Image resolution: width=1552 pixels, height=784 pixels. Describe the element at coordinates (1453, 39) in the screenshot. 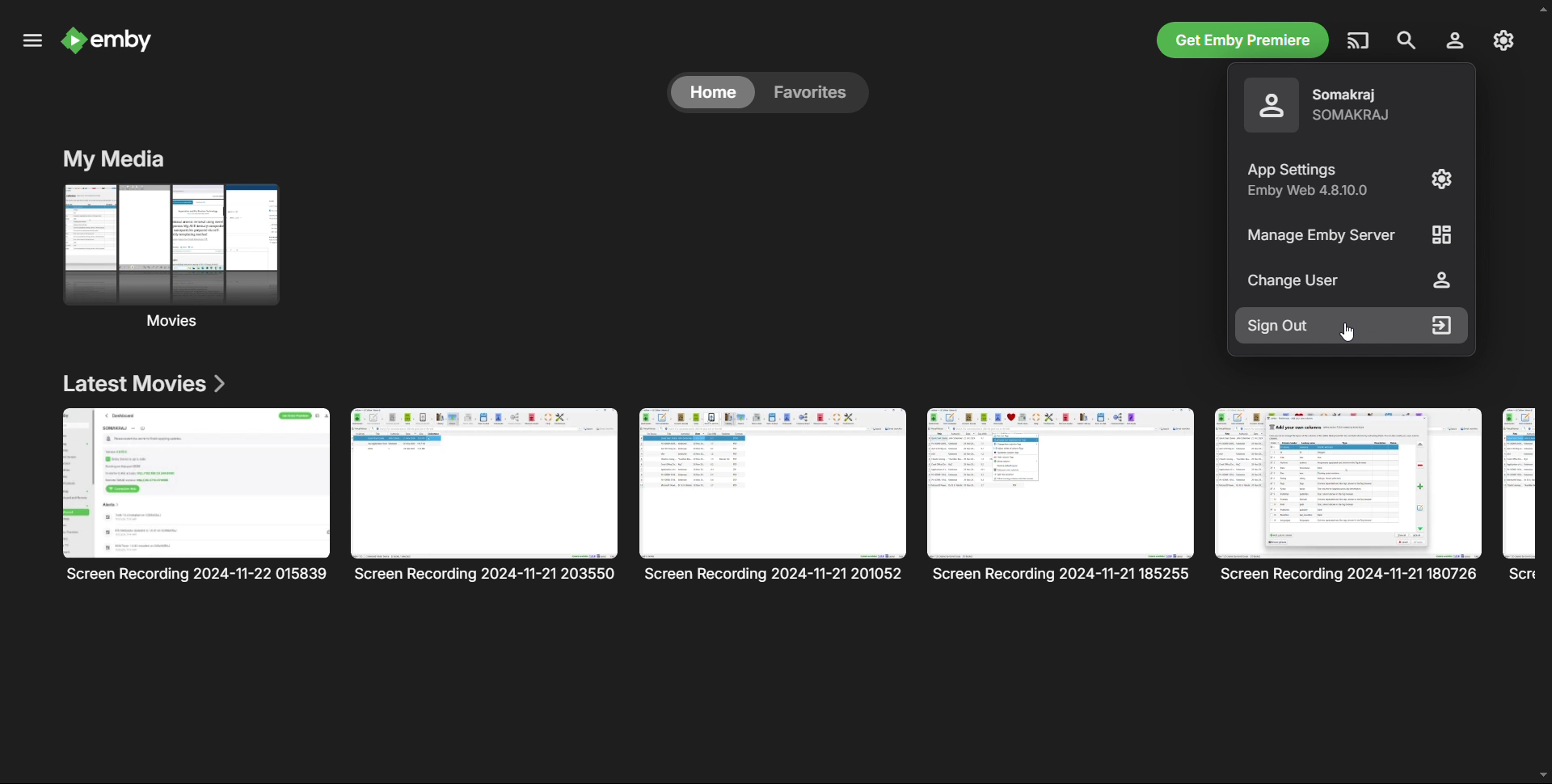

I see `account` at that location.